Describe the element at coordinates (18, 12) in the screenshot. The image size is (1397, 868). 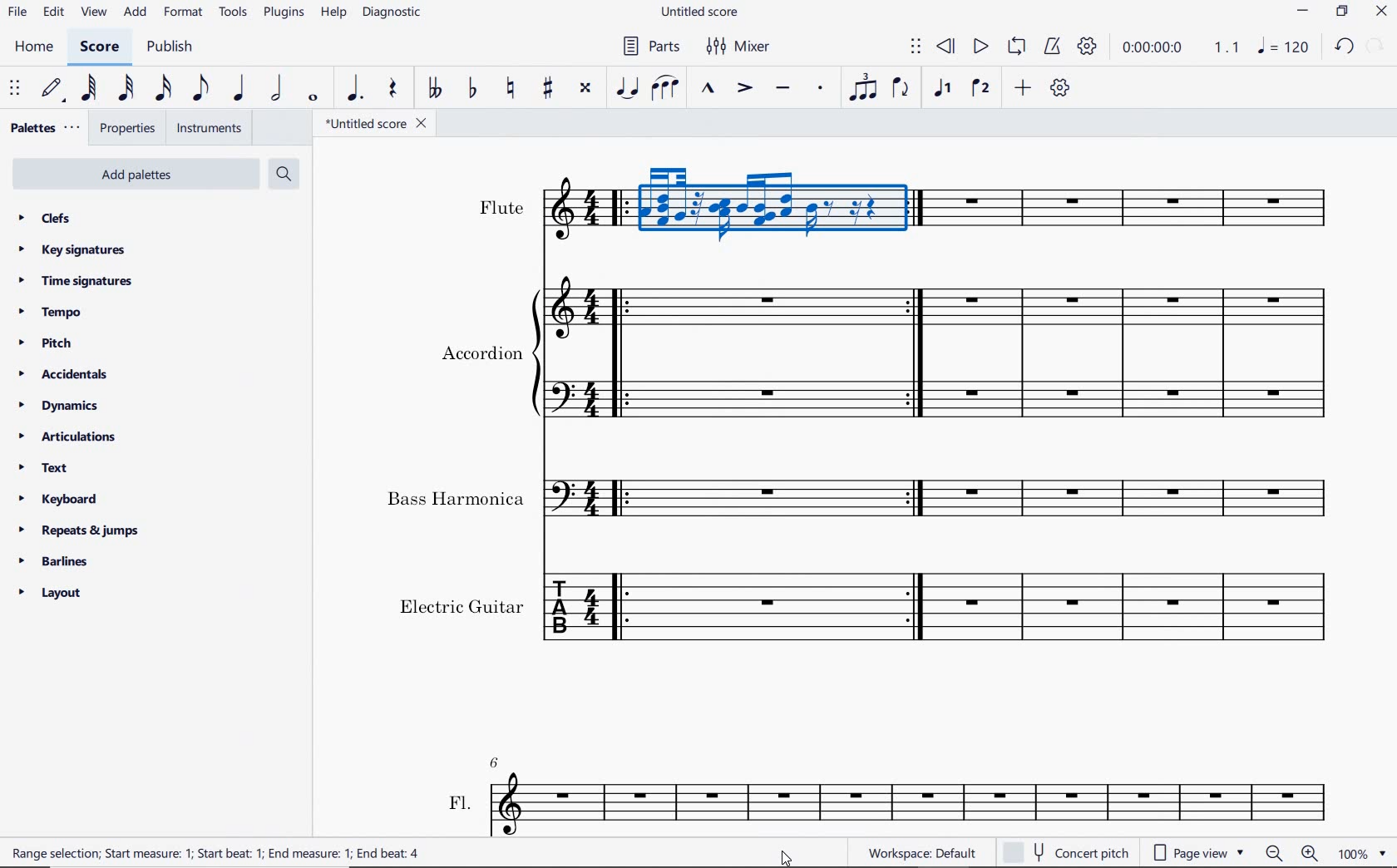
I see `file` at that location.